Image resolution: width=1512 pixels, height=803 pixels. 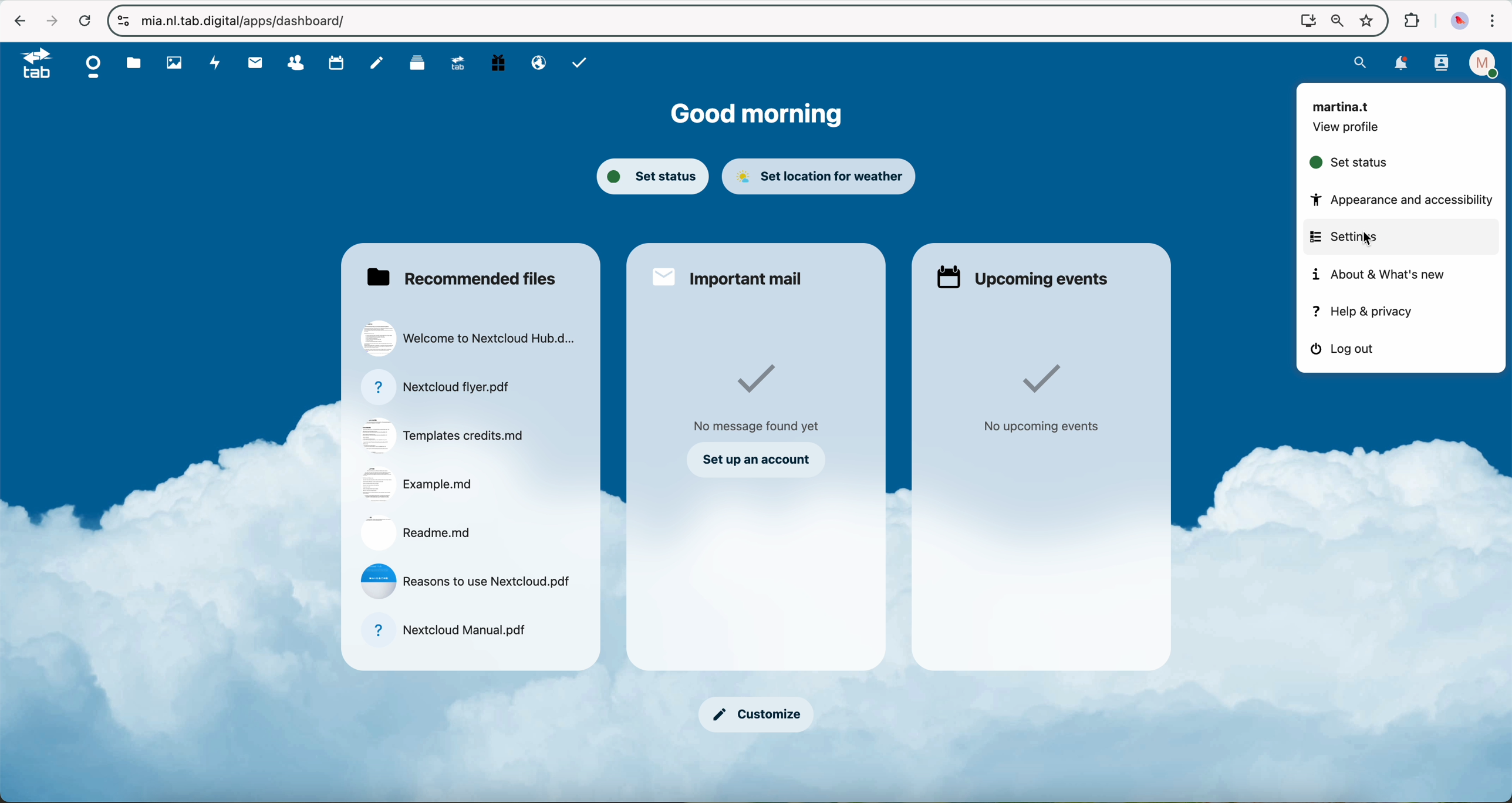 I want to click on set status, so click(x=1349, y=166).